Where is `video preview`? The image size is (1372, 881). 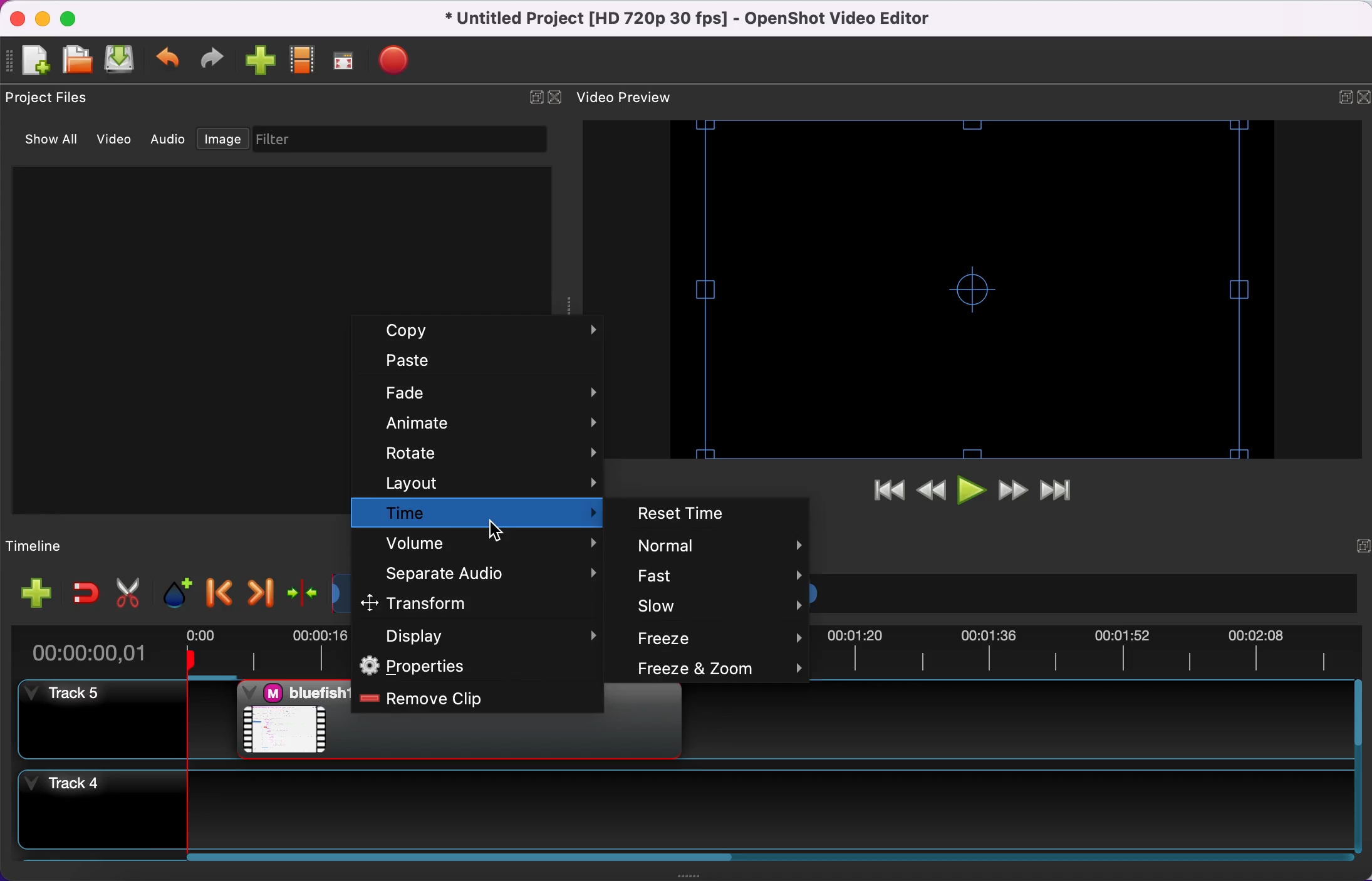 video preview is located at coordinates (970, 290).